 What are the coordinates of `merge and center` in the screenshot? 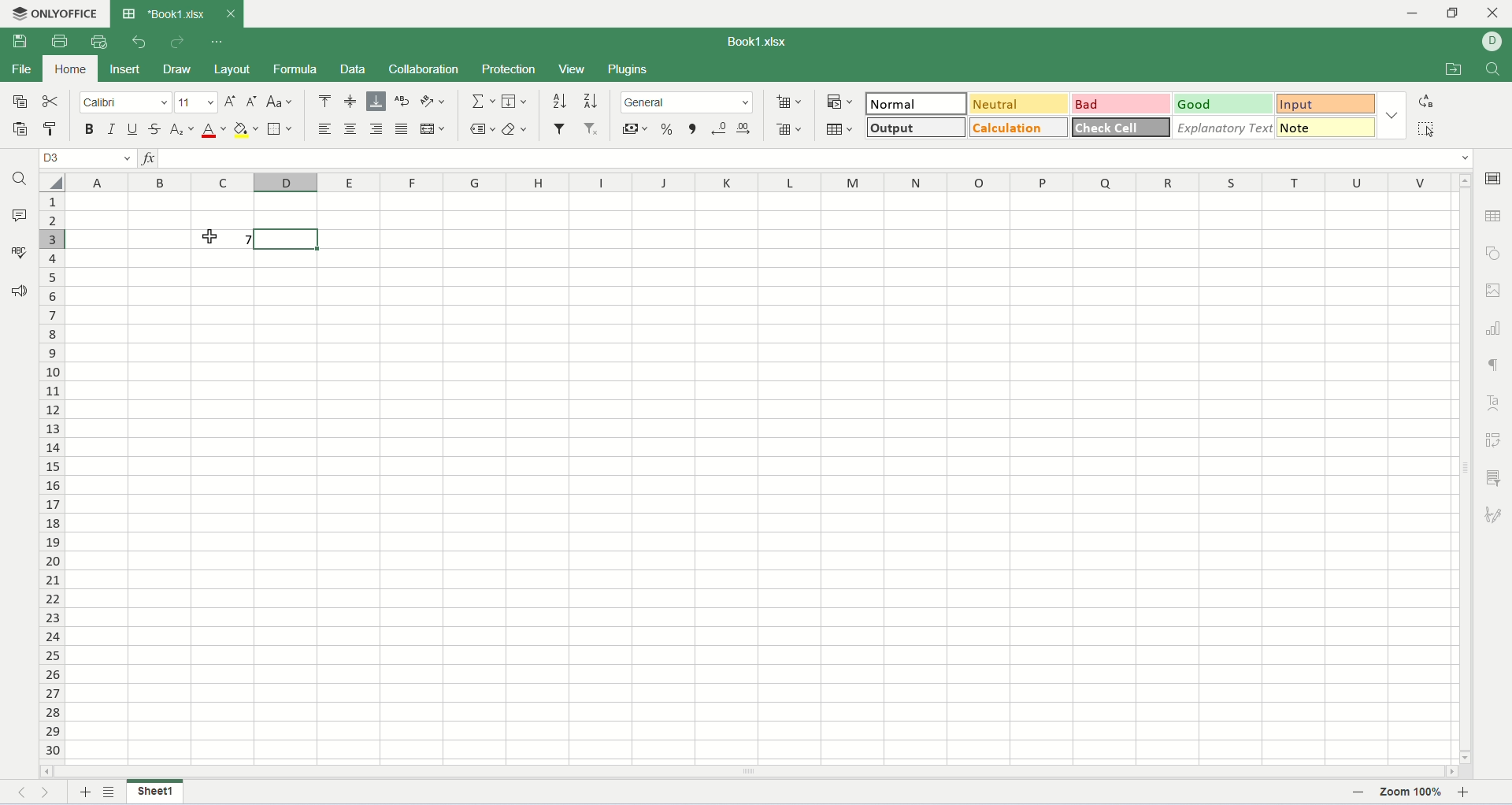 It's located at (433, 128).